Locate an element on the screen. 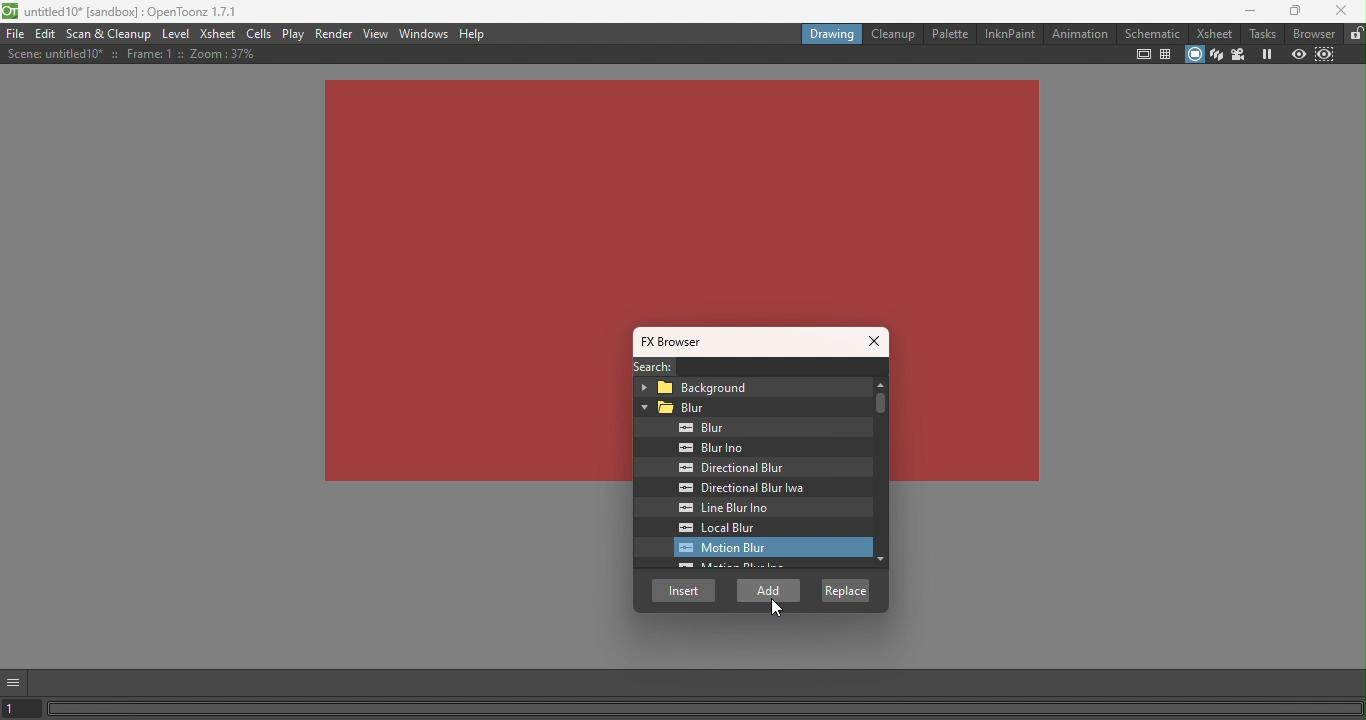 The image size is (1366, 720). 3D view is located at coordinates (1217, 53).